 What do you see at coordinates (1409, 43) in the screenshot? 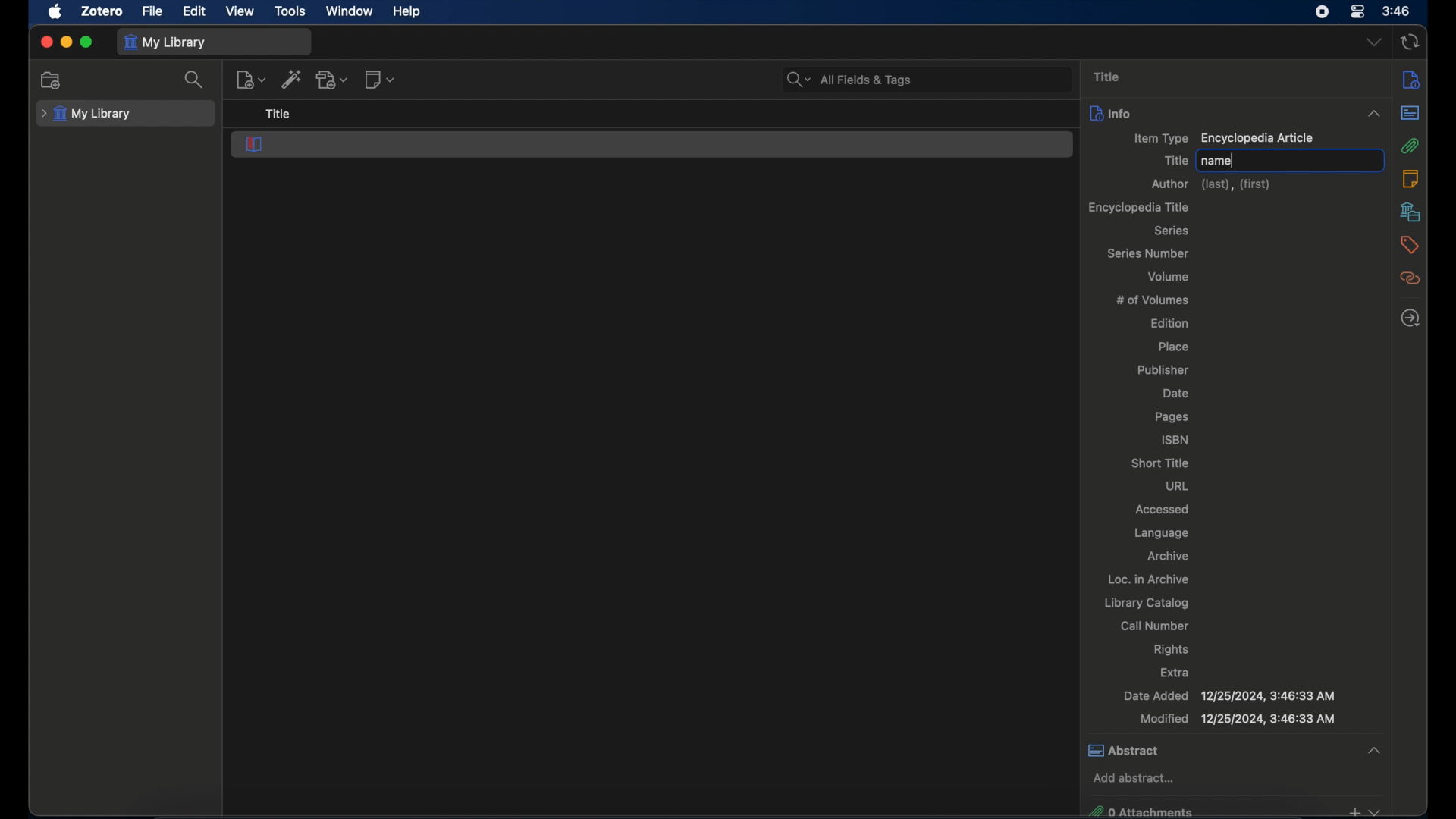
I see `sync` at bounding box center [1409, 43].